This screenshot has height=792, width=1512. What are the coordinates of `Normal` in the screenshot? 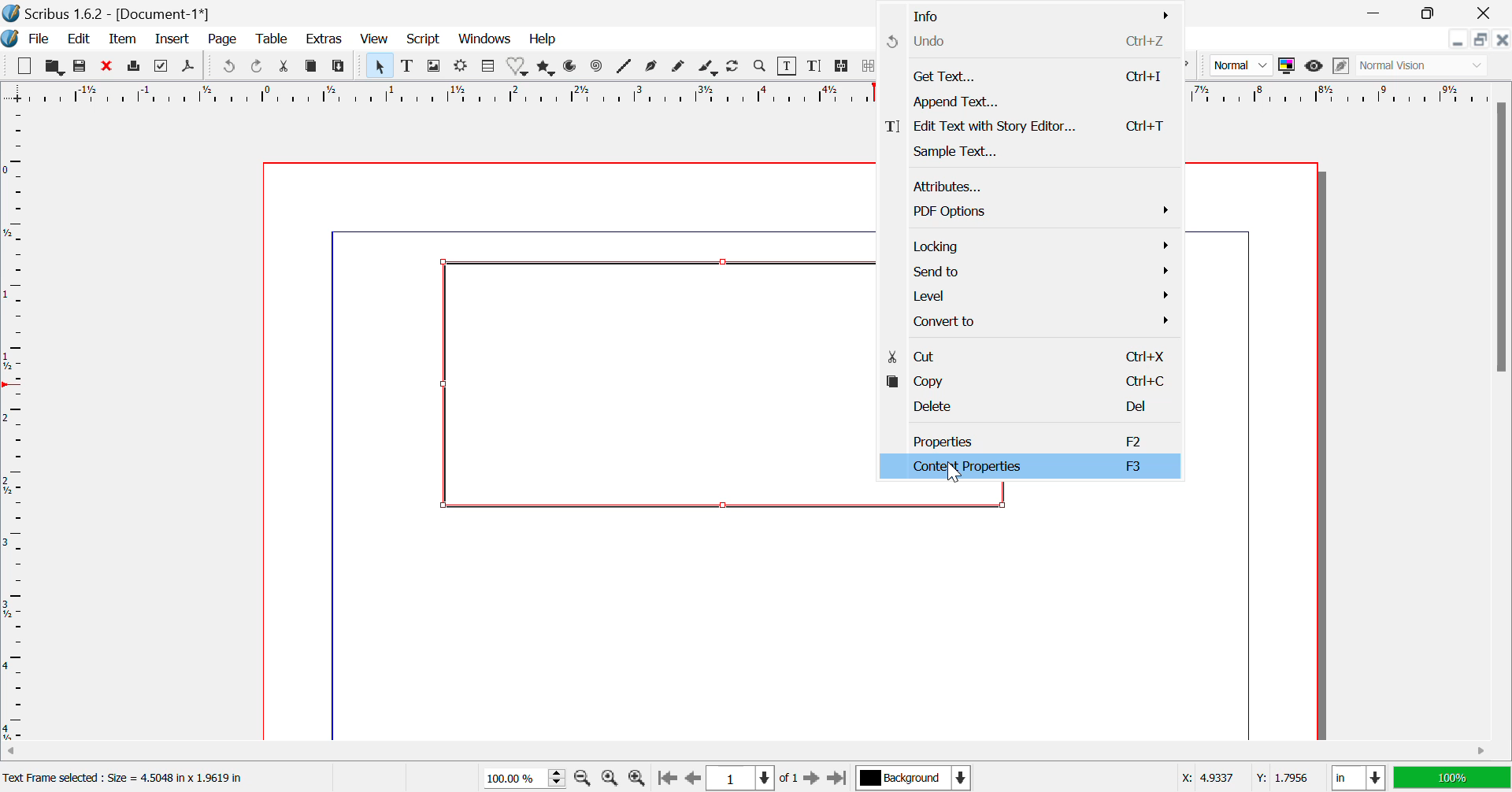 It's located at (1241, 68).